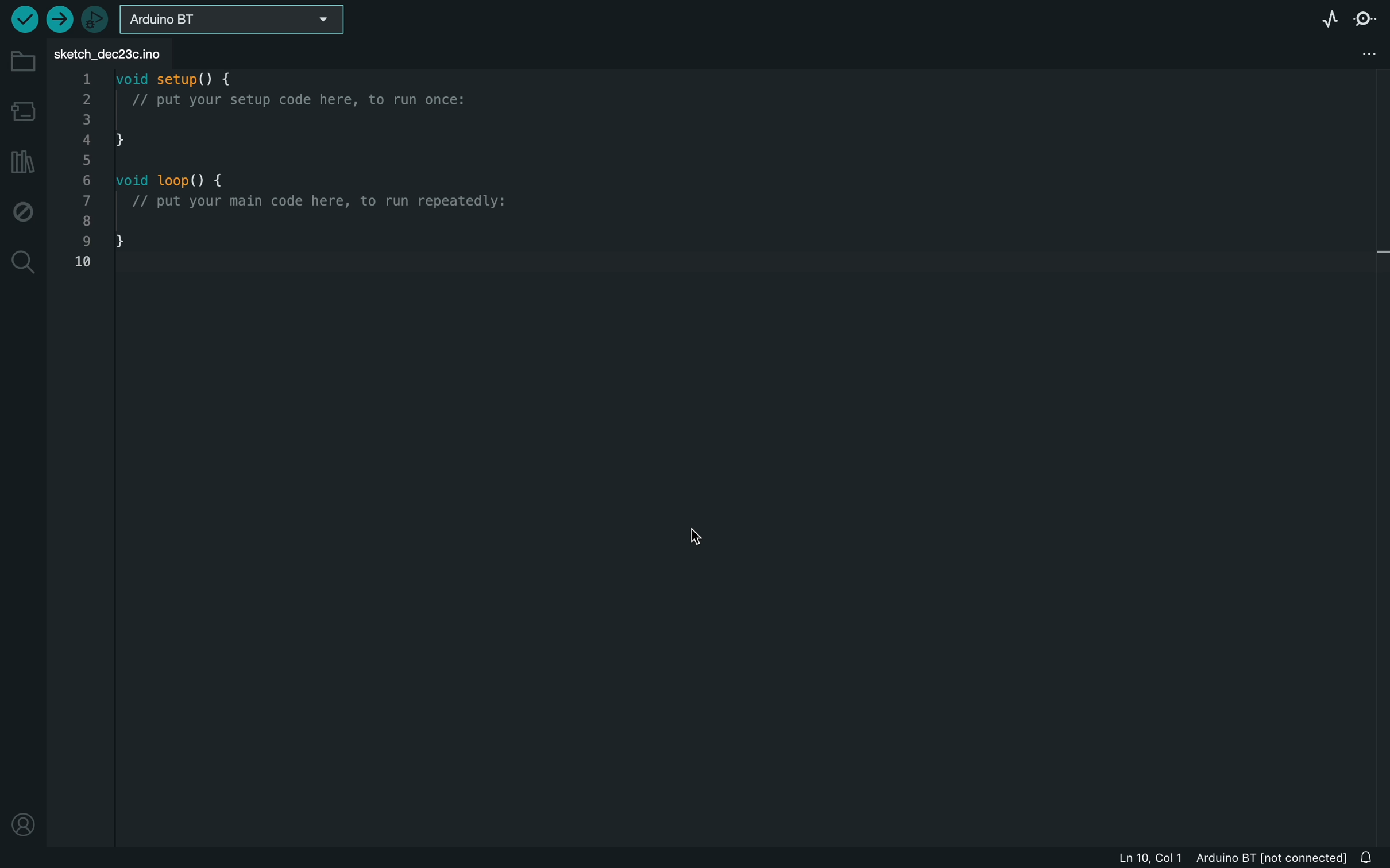 This screenshot has width=1390, height=868. Describe the element at coordinates (24, 214) in the screenshot. I see `debug` at that location.